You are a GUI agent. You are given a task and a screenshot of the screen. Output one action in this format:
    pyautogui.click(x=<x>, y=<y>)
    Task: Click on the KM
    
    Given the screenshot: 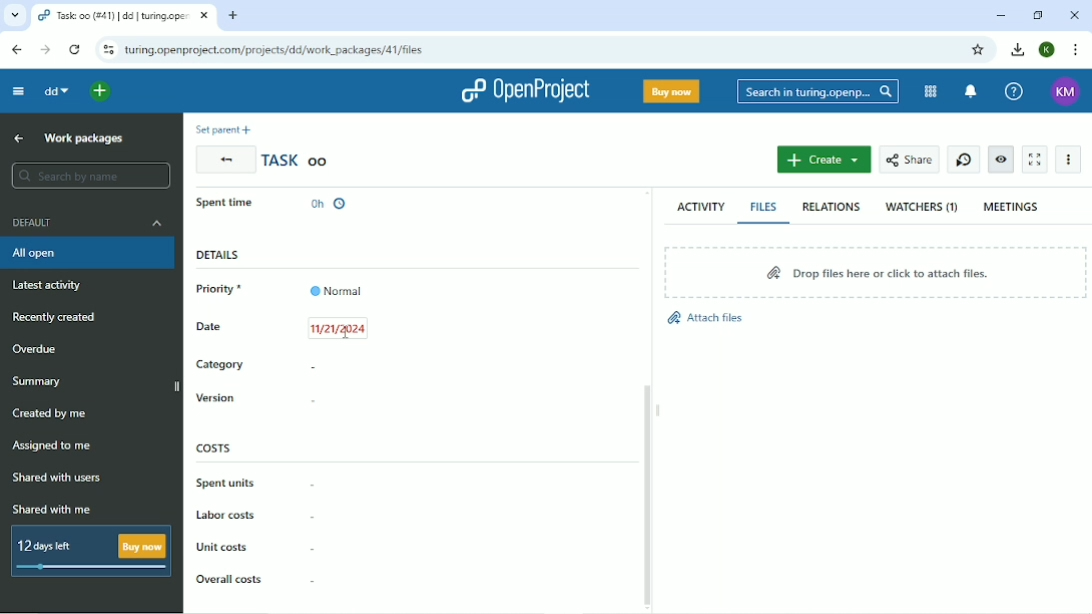 What is the action you would take?
    pyautogui.click(x=1063, y=90)
    